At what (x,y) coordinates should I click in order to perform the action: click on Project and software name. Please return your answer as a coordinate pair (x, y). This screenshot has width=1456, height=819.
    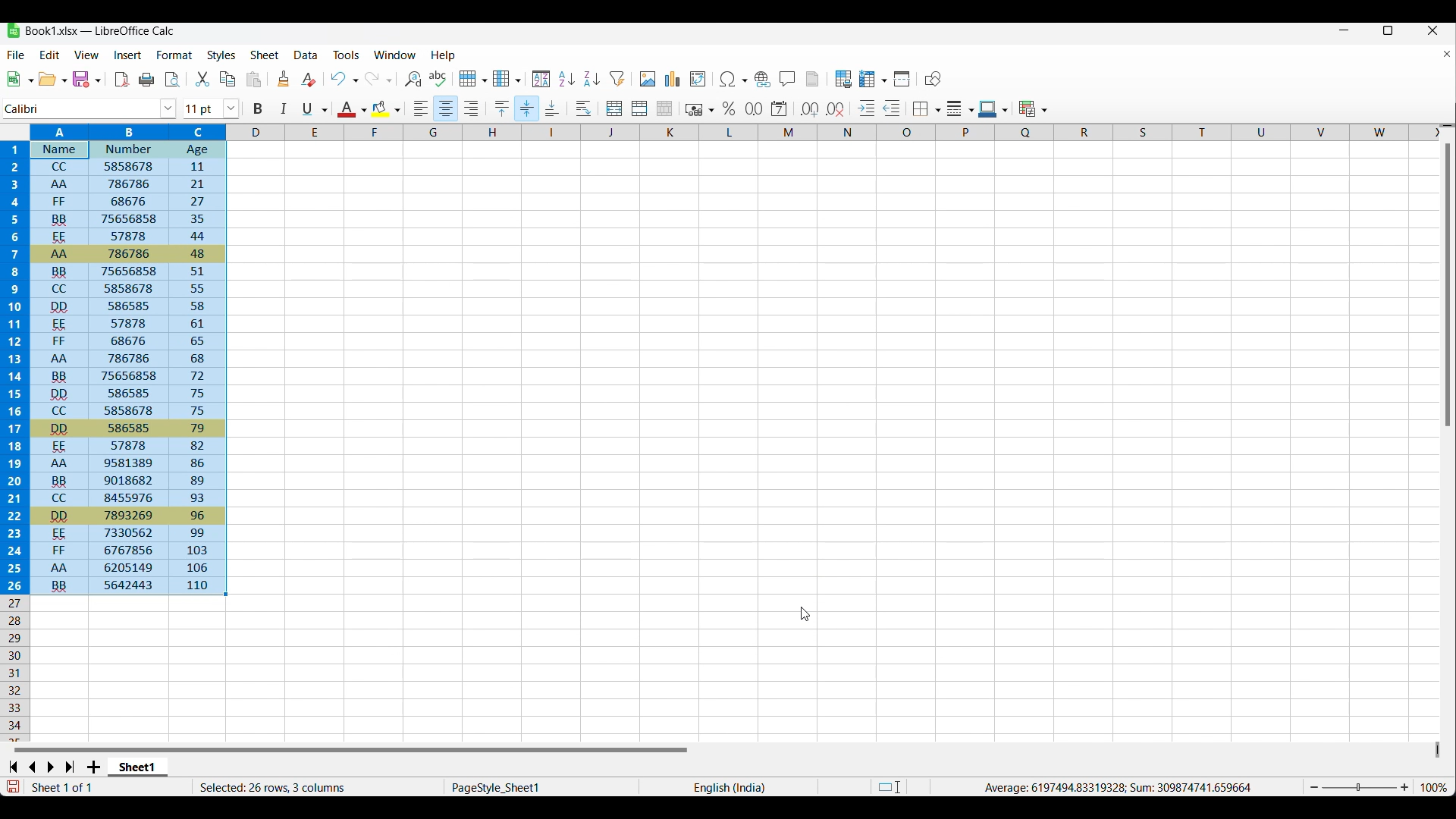
    Looking at the image, I should click on (100, 31).